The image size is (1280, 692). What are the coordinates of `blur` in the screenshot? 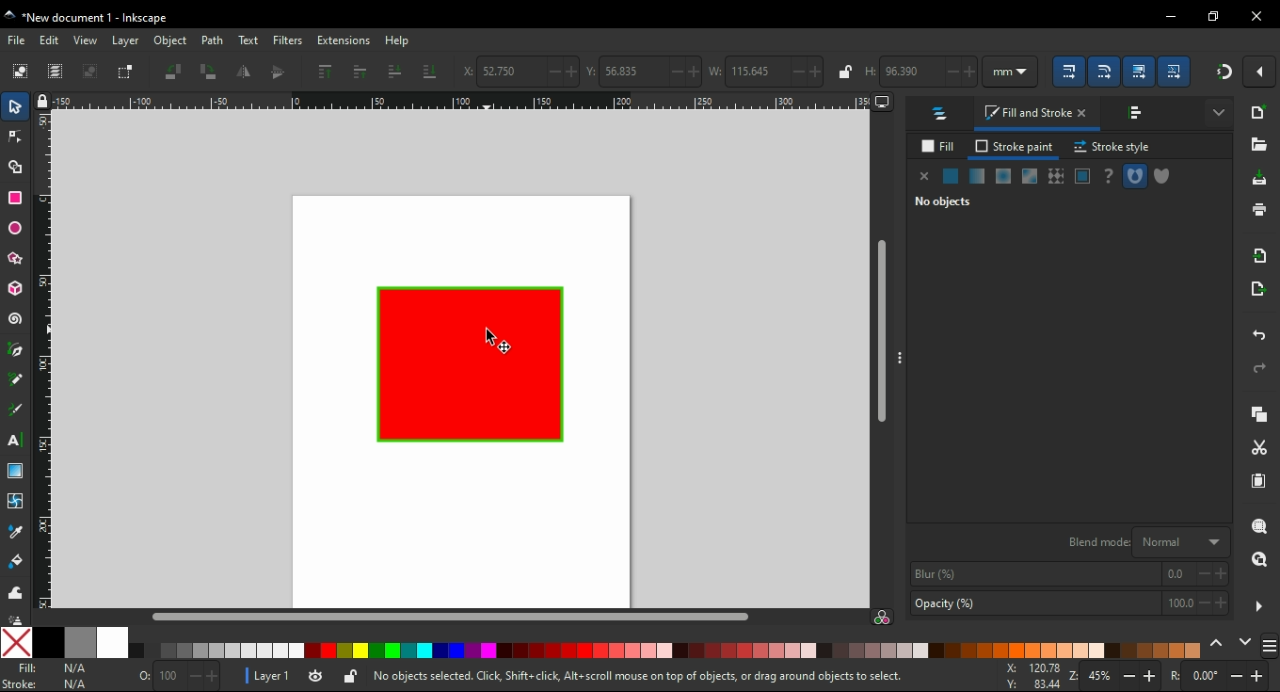 It's located at (1036, 575).